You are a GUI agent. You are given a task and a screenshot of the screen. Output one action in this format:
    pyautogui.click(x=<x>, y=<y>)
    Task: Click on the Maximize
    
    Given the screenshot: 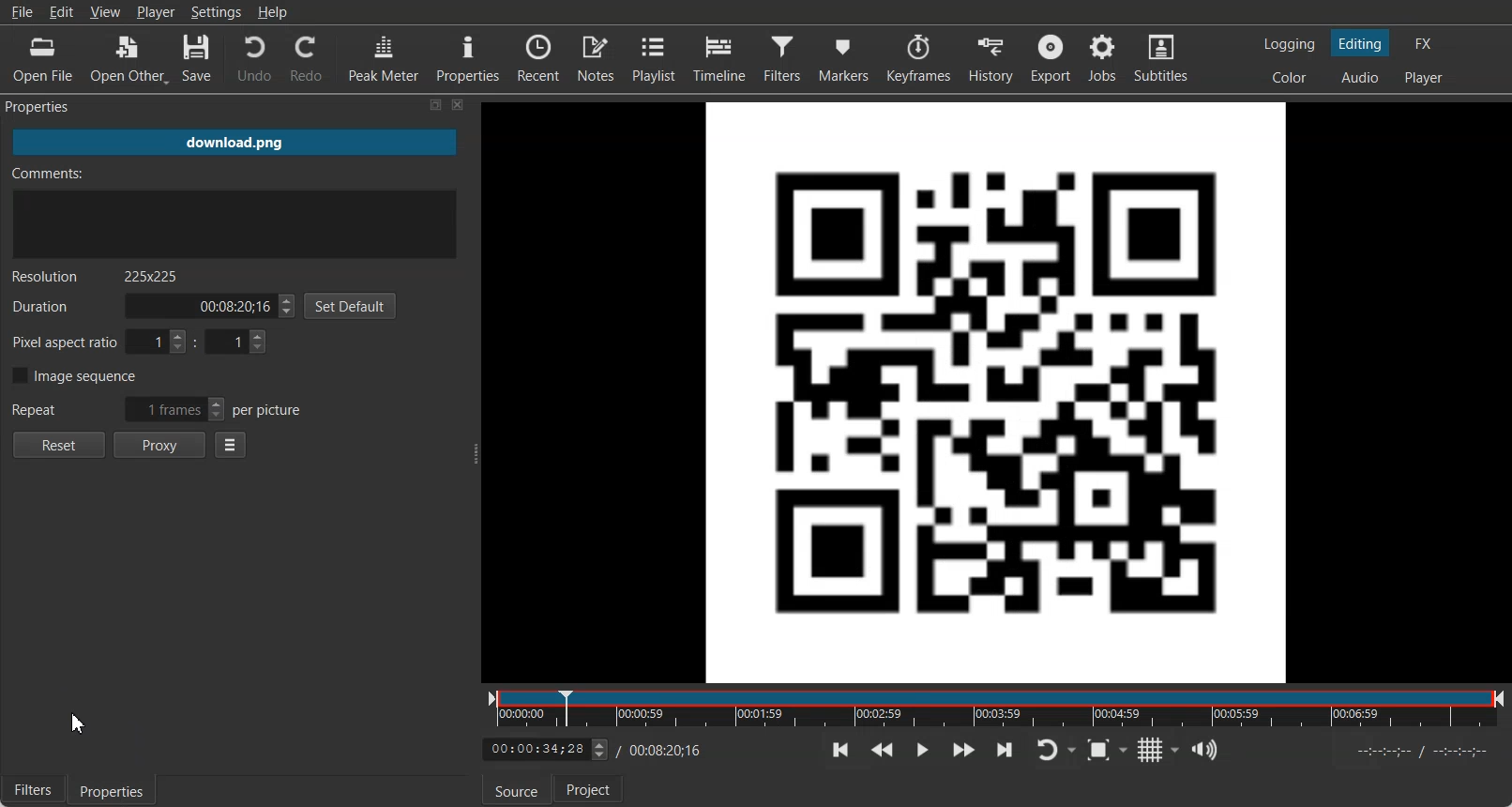 What is the action you would take?
    pyautogui.click(x=436, y=105)
    